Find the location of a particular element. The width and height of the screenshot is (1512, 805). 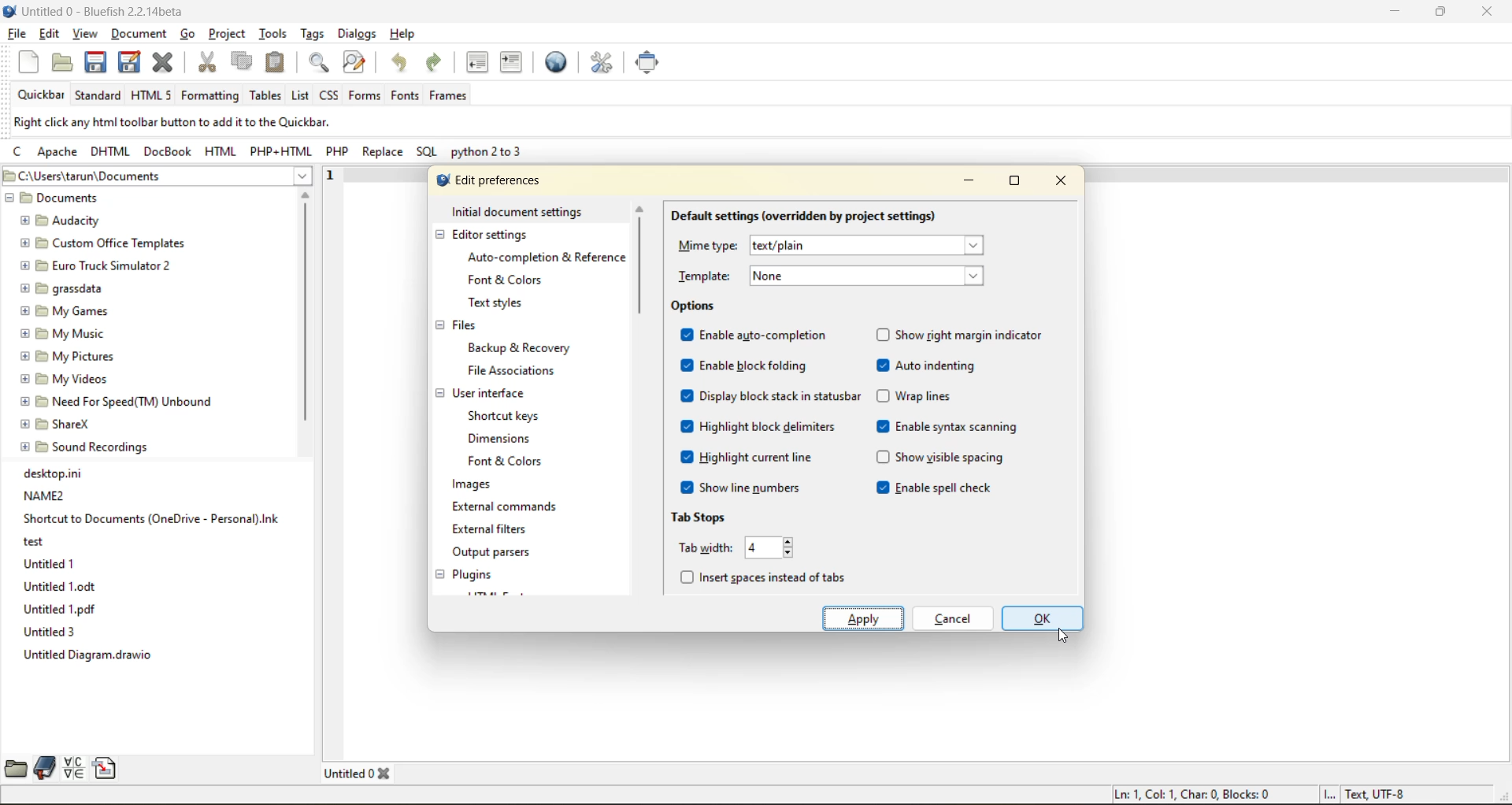

apache is located at coordinates (57, 154).